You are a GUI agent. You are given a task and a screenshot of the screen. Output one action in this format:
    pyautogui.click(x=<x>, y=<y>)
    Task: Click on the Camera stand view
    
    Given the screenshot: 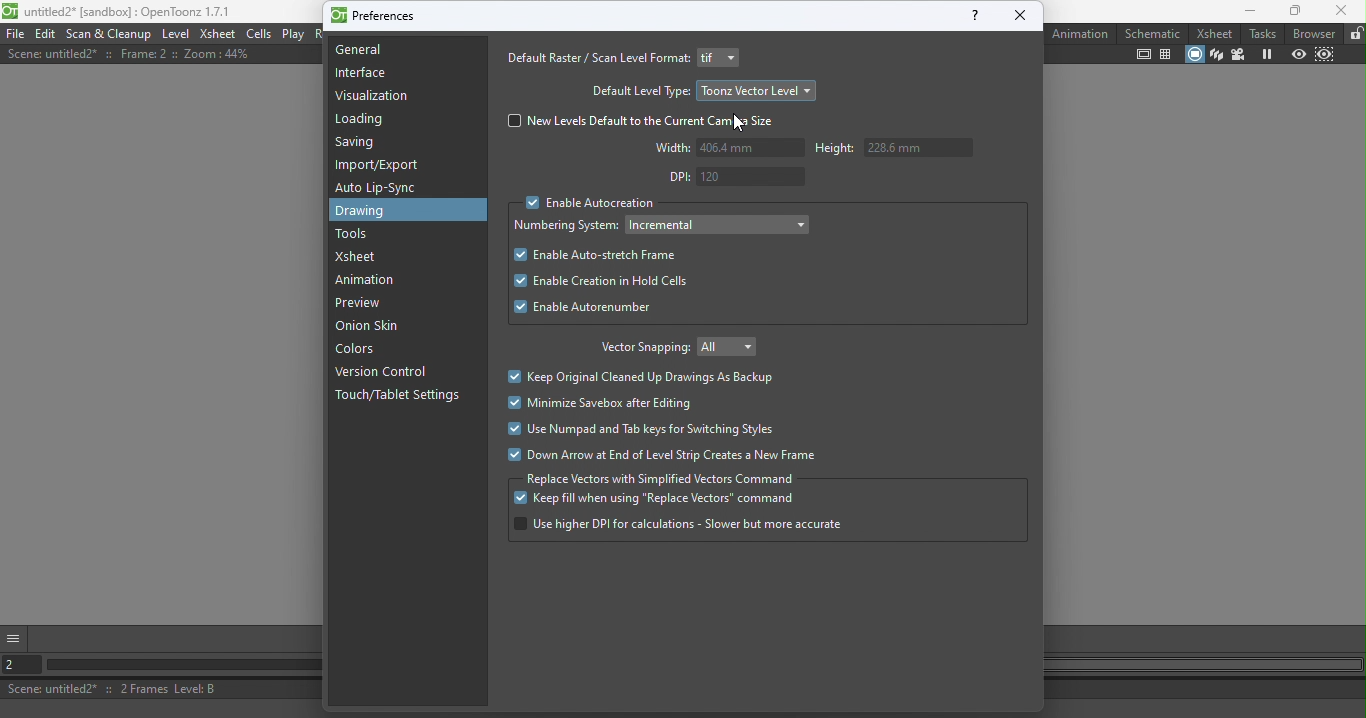 What is the action you would take?
    pyautogui.click(x=1193, y=56)
    